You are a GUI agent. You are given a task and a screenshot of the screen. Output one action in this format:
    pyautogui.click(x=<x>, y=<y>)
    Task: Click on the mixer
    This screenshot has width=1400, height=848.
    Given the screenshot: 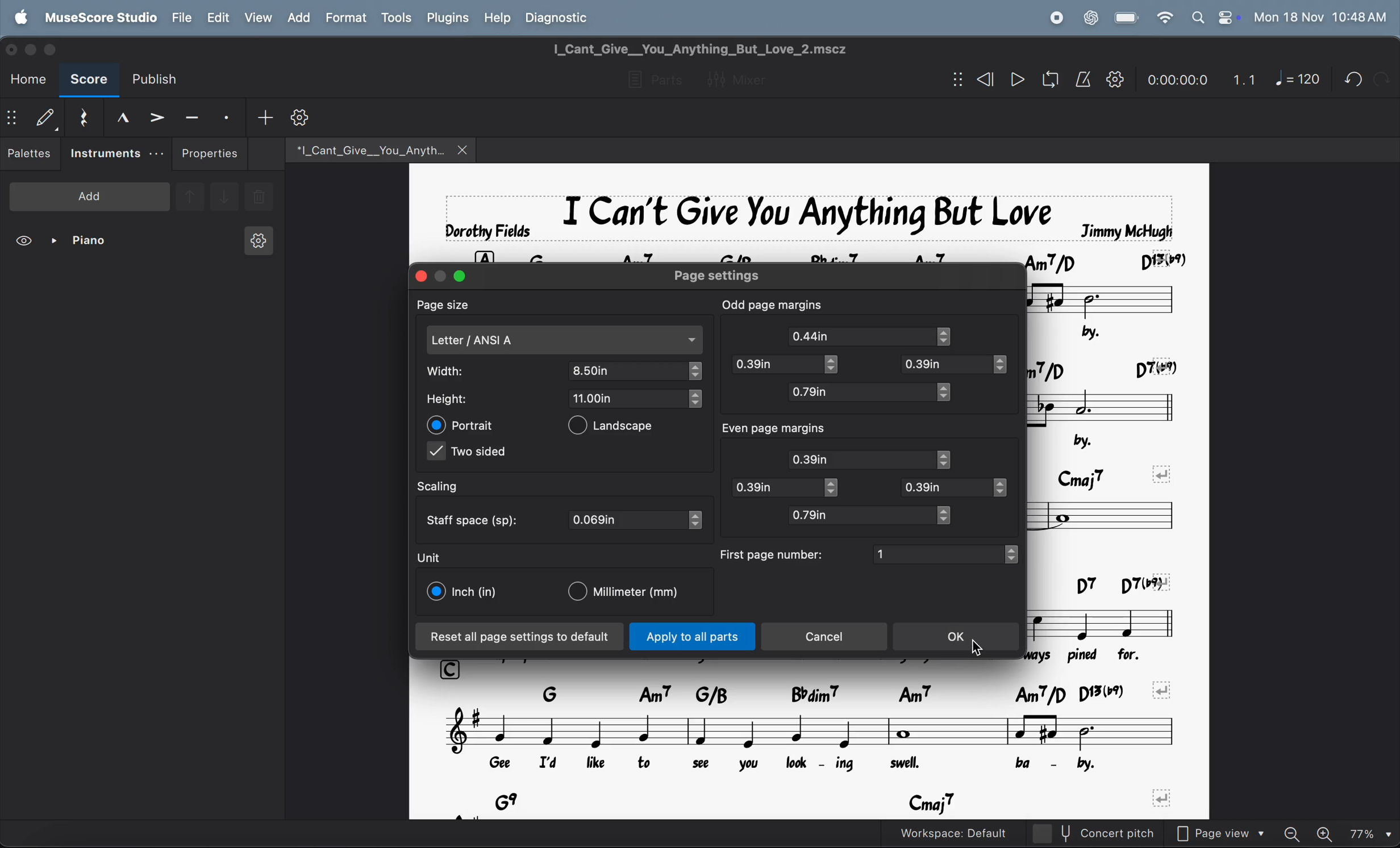 What is the action you would take?
    pyautogui.click(x=745, y=78)
    